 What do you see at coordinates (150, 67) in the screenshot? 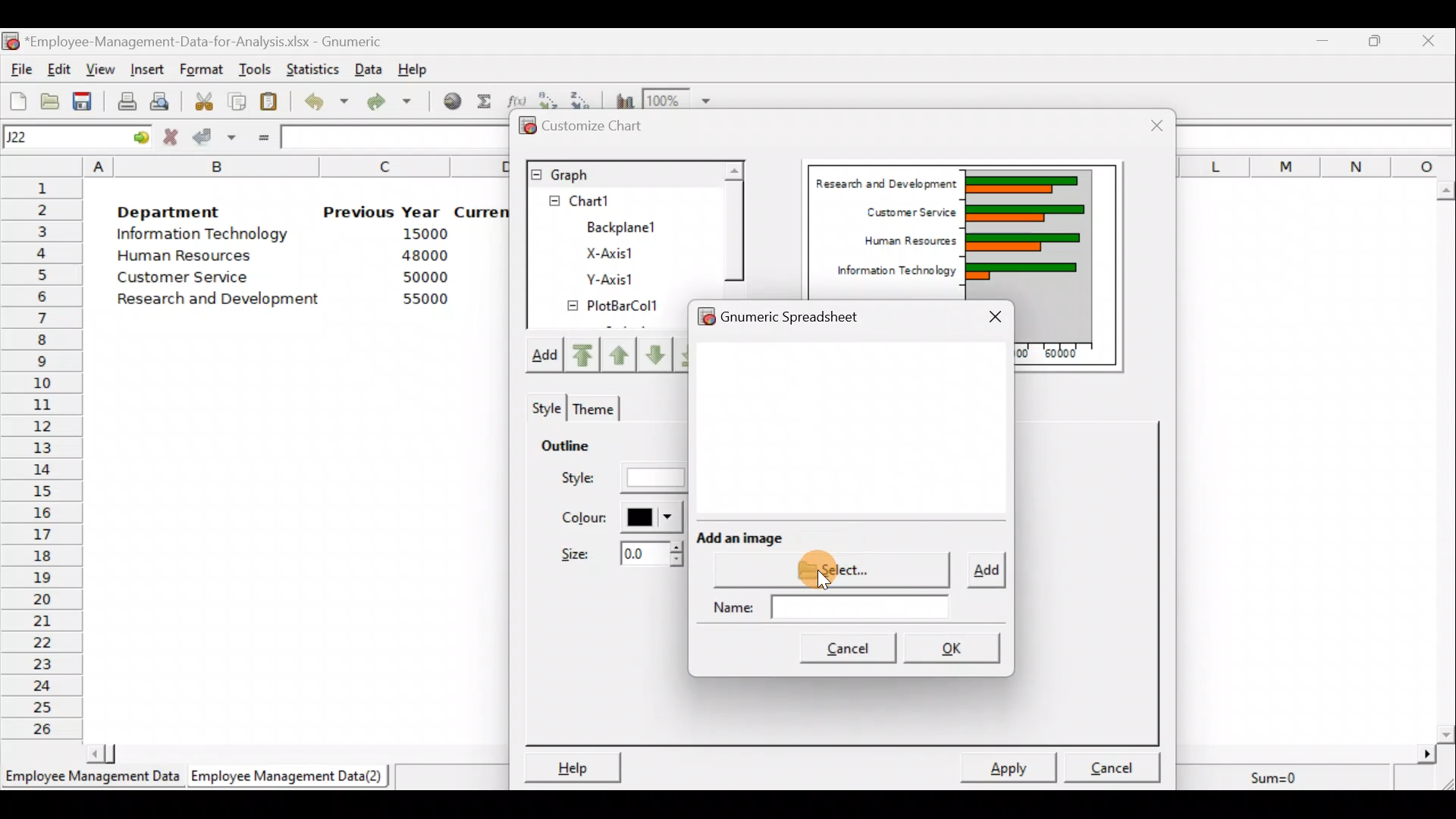
I see `Insert` at bounding box center [150, 67].